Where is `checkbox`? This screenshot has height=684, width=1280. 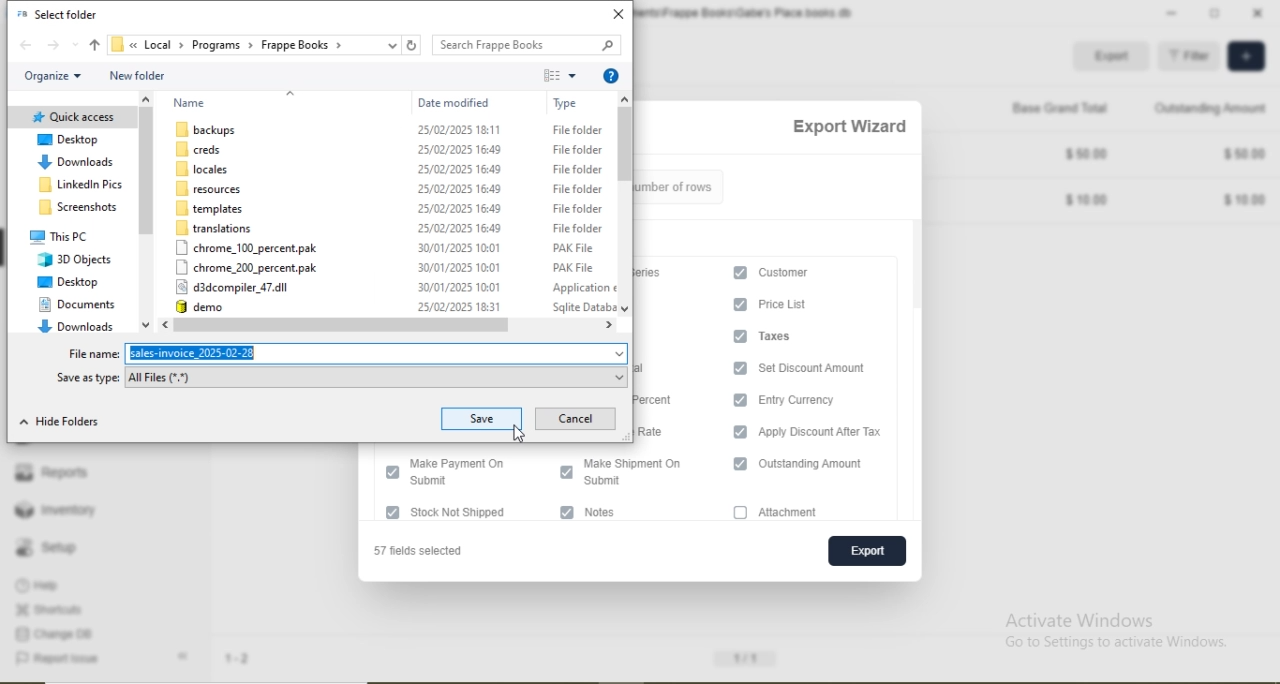 checkbox is located at coordinates (740, 513).